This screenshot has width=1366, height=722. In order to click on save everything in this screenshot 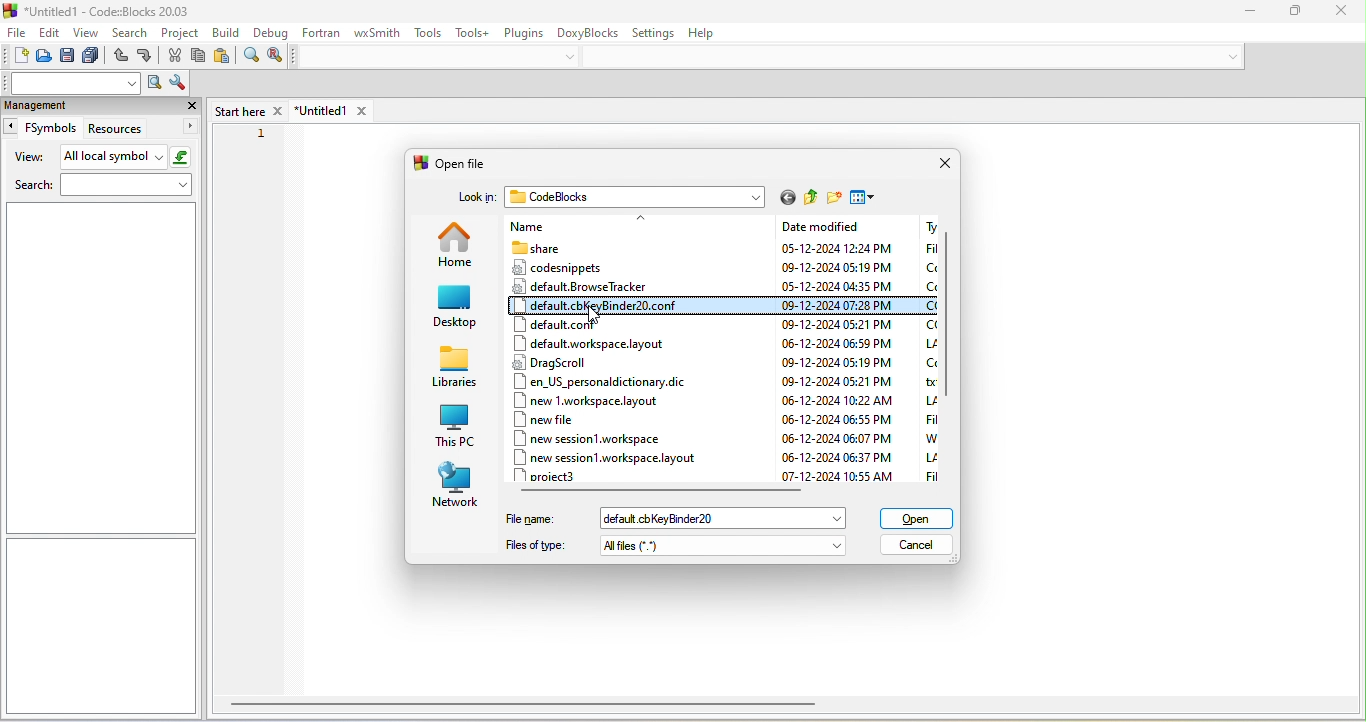, I will do `click(94, 56)`.